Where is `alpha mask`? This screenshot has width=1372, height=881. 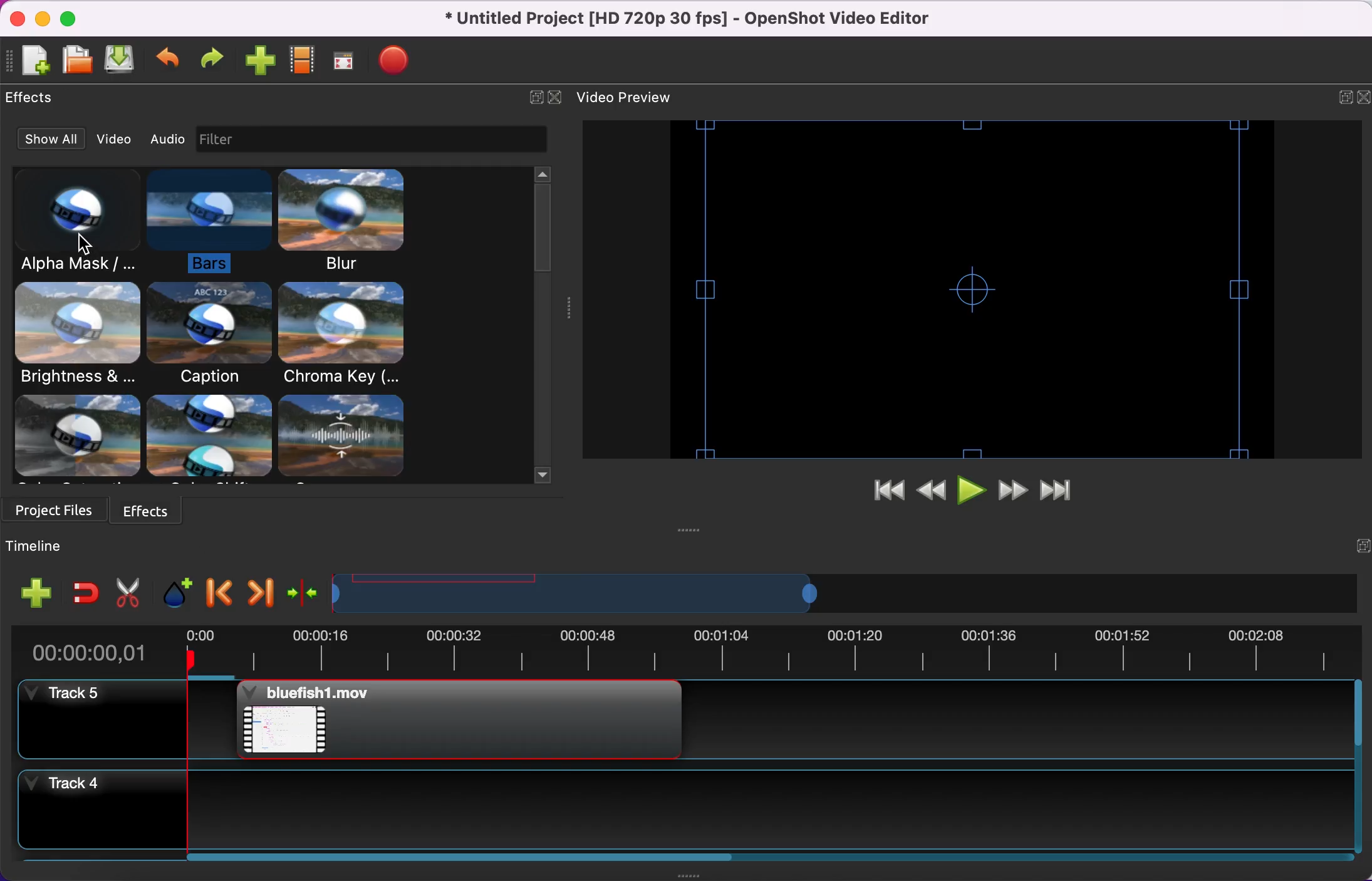 alpha mask is located at coordinates (67, 223).